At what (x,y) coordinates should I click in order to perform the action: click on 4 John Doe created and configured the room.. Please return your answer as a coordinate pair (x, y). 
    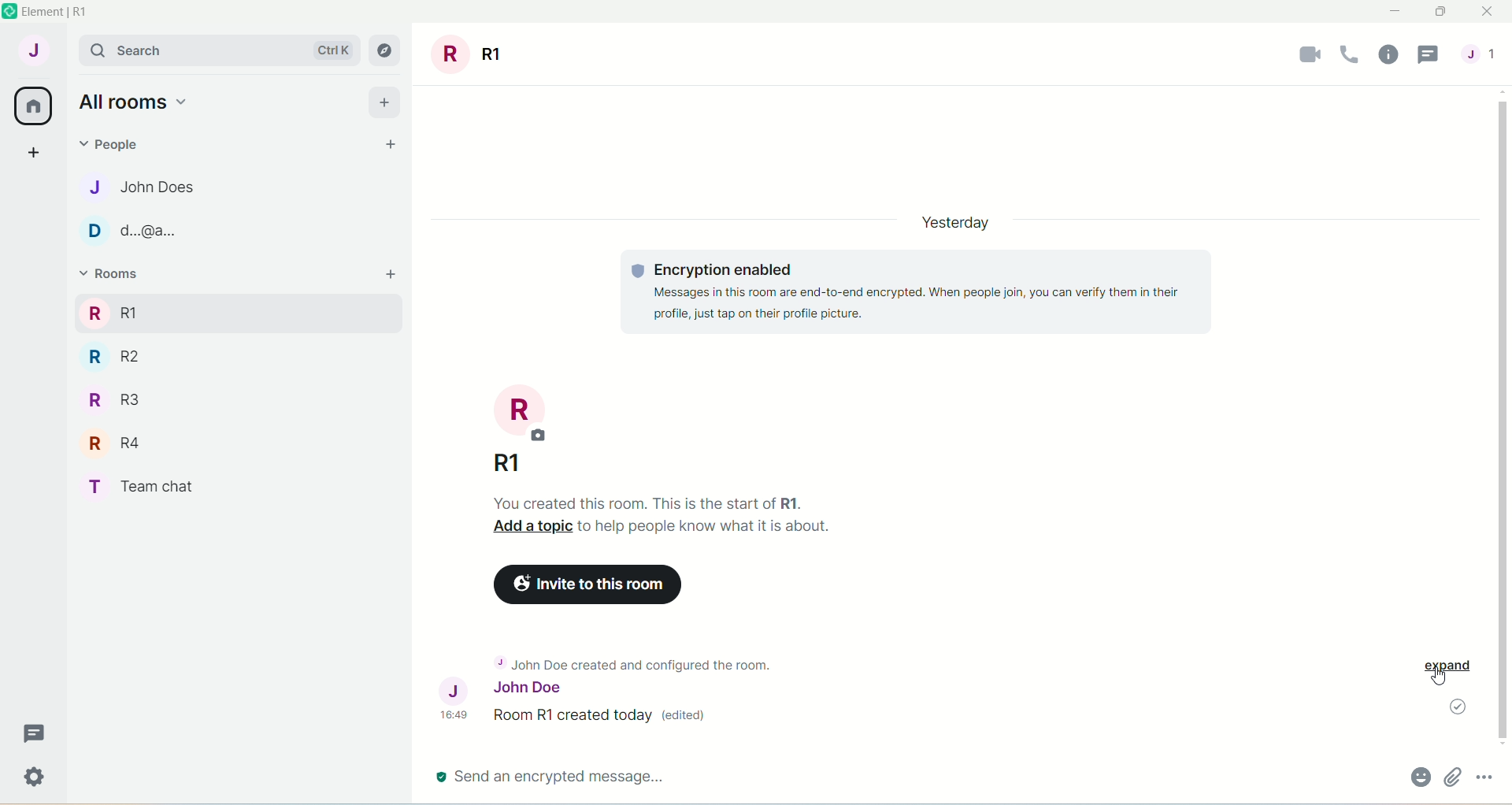
    Looking at the image, I should click on (662, 662).